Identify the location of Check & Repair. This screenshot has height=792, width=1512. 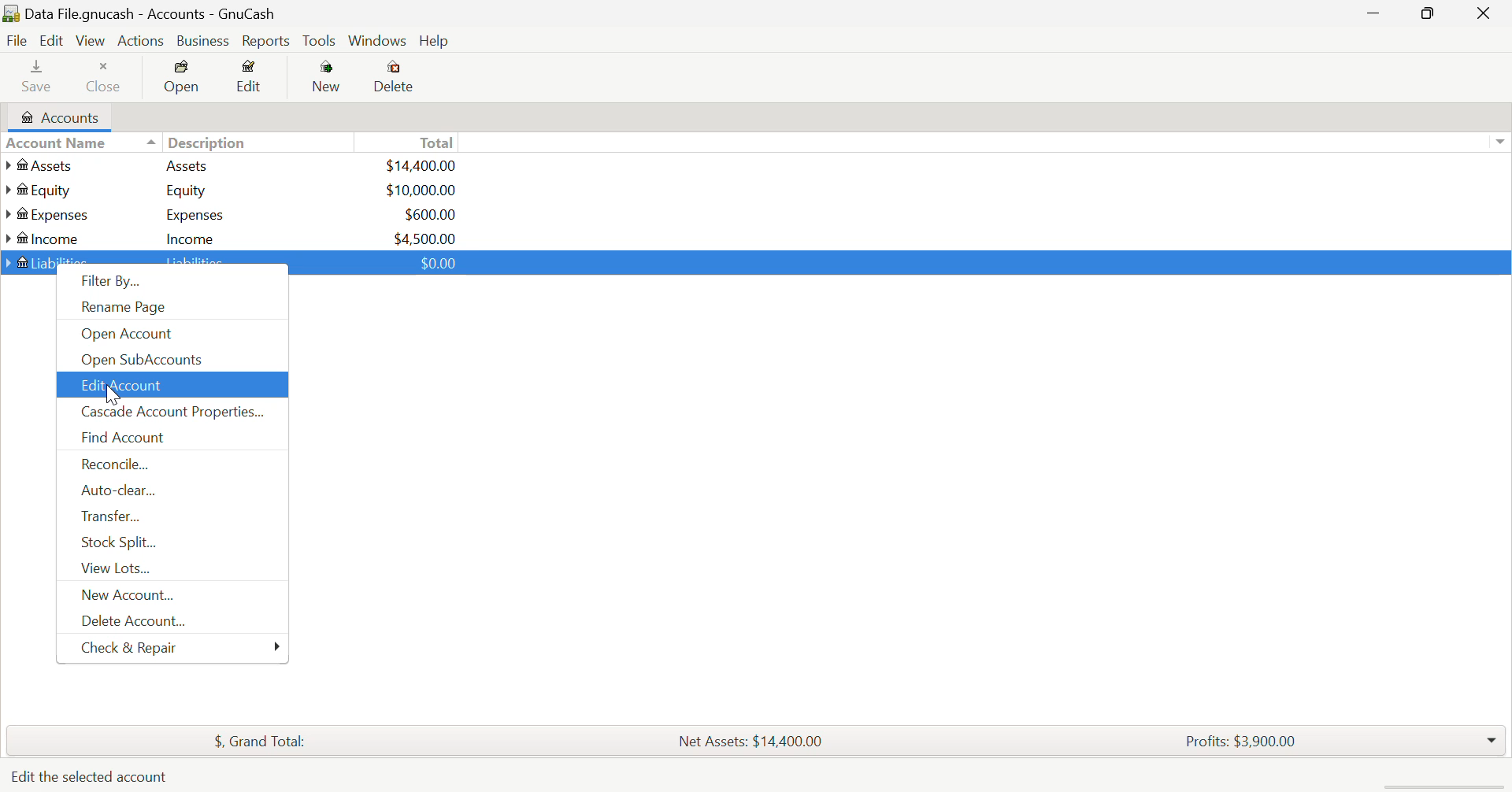
(183, 649).